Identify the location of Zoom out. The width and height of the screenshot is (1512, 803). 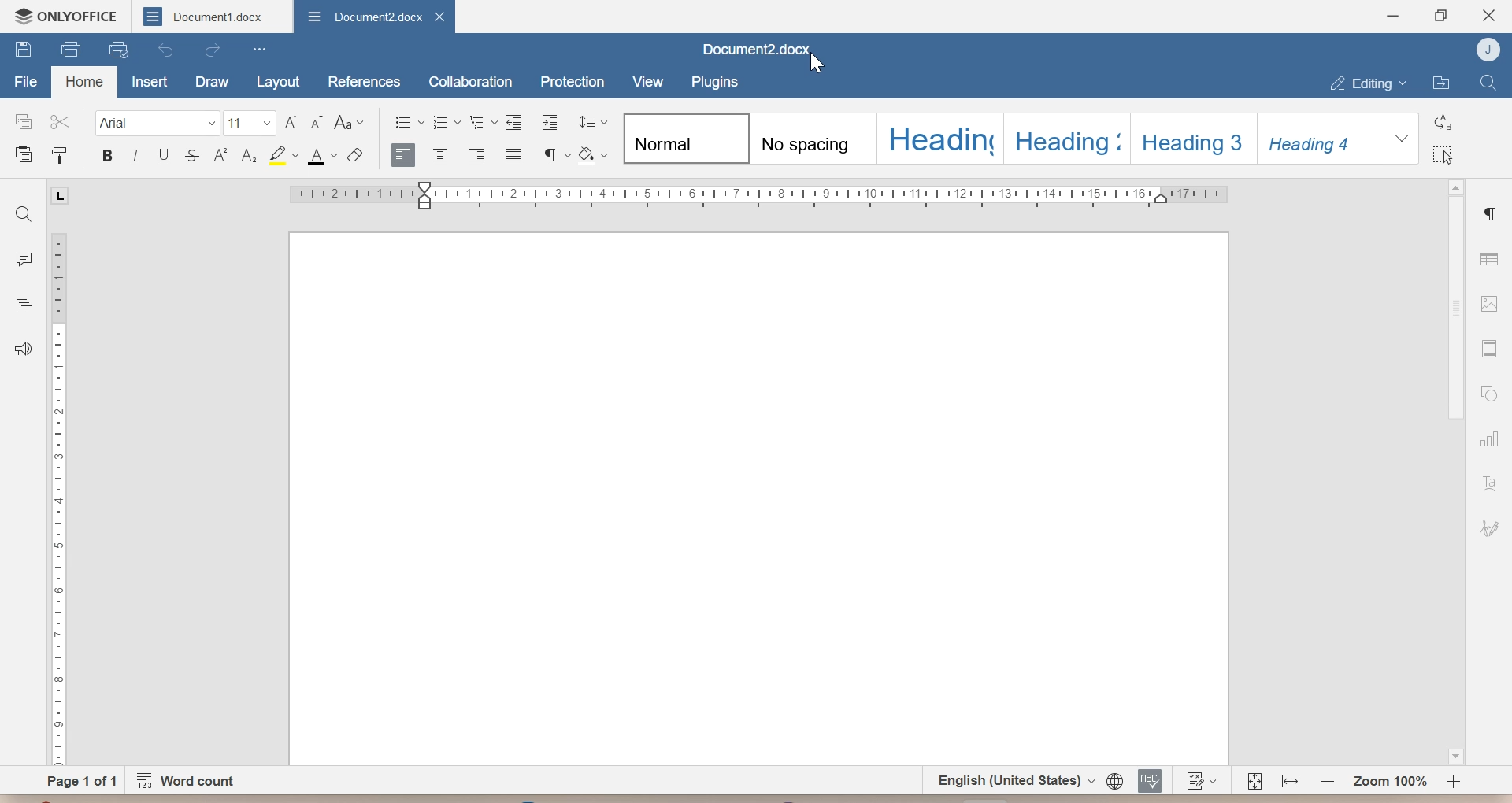
(1328, 779).